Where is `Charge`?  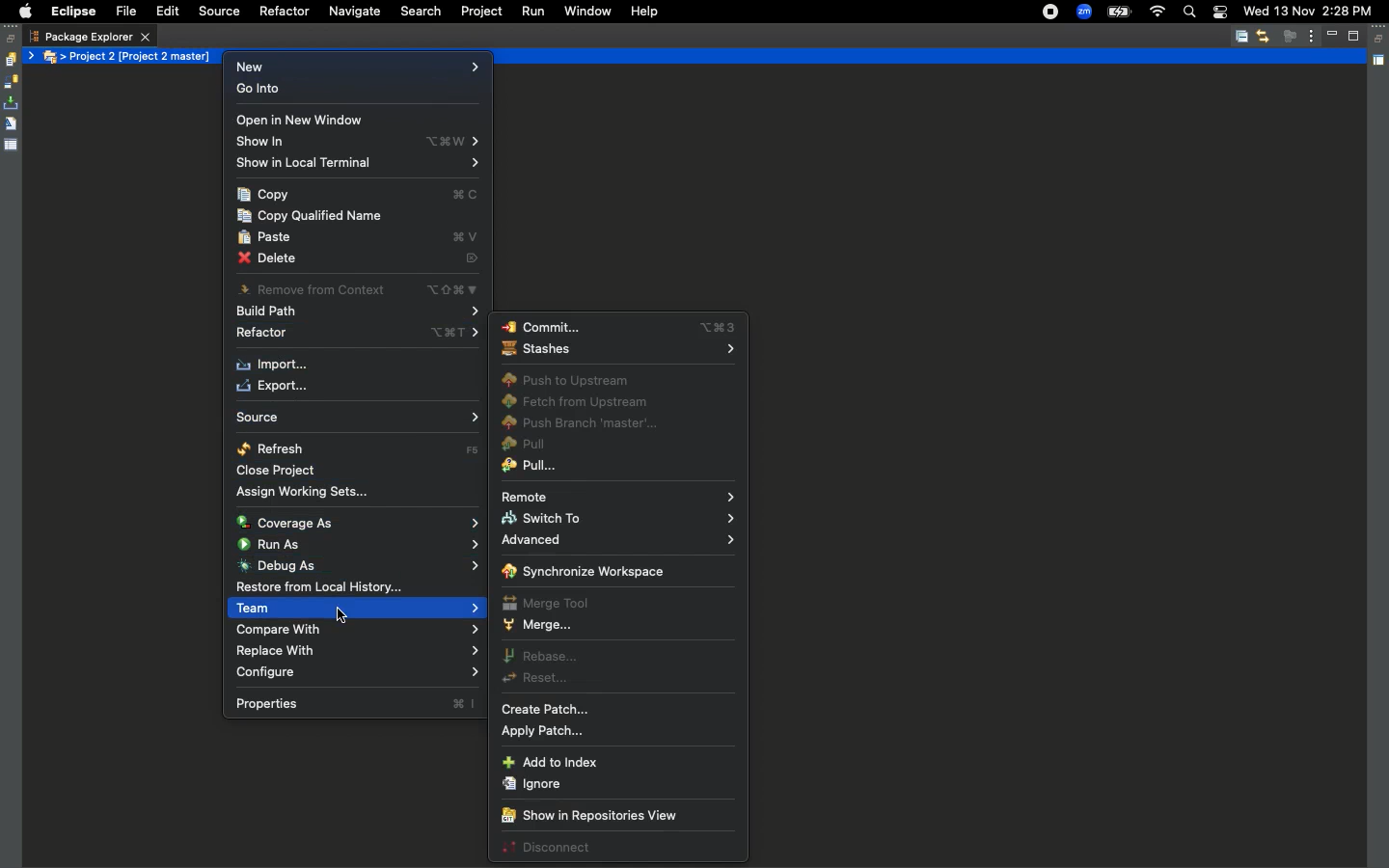
Charge is located at coordinates (1118, 14).